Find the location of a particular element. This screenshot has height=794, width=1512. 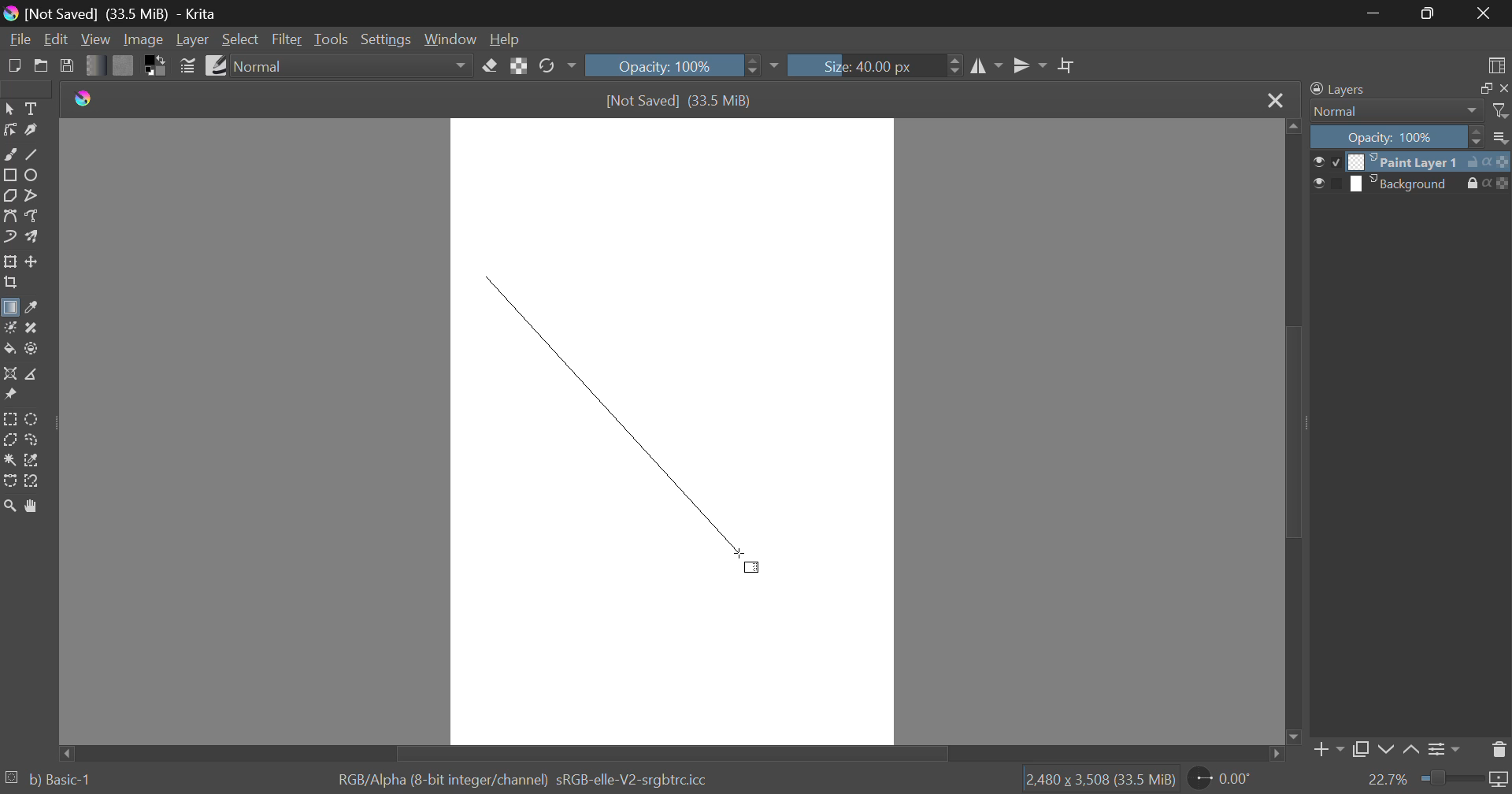

Pattern is located at coordinates (124, 65).